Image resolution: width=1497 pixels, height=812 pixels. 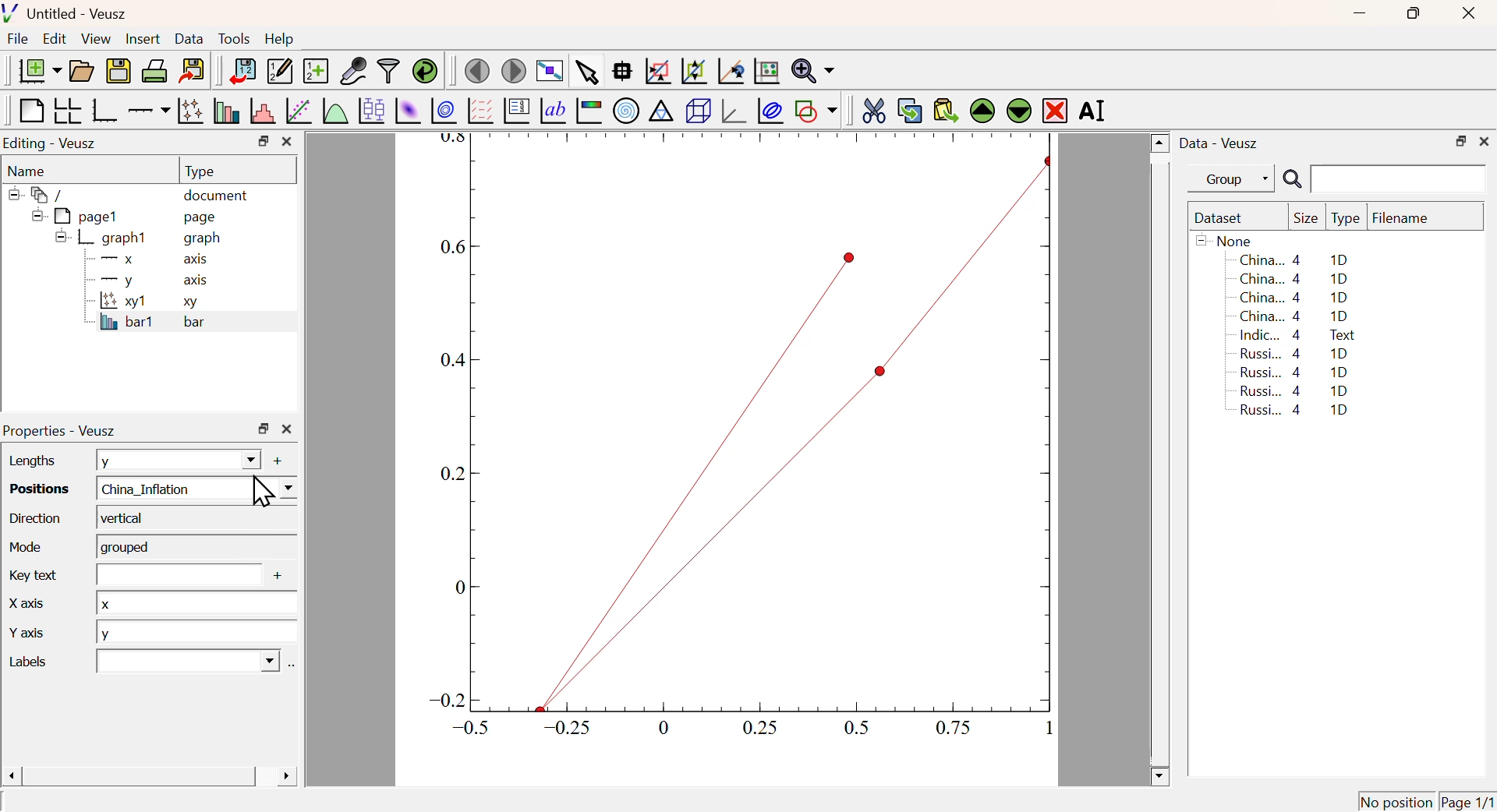 What do you see at coordinates (589, 111) in the screenshot?
I see `Image Color bar` at bounding box center [589, 111].